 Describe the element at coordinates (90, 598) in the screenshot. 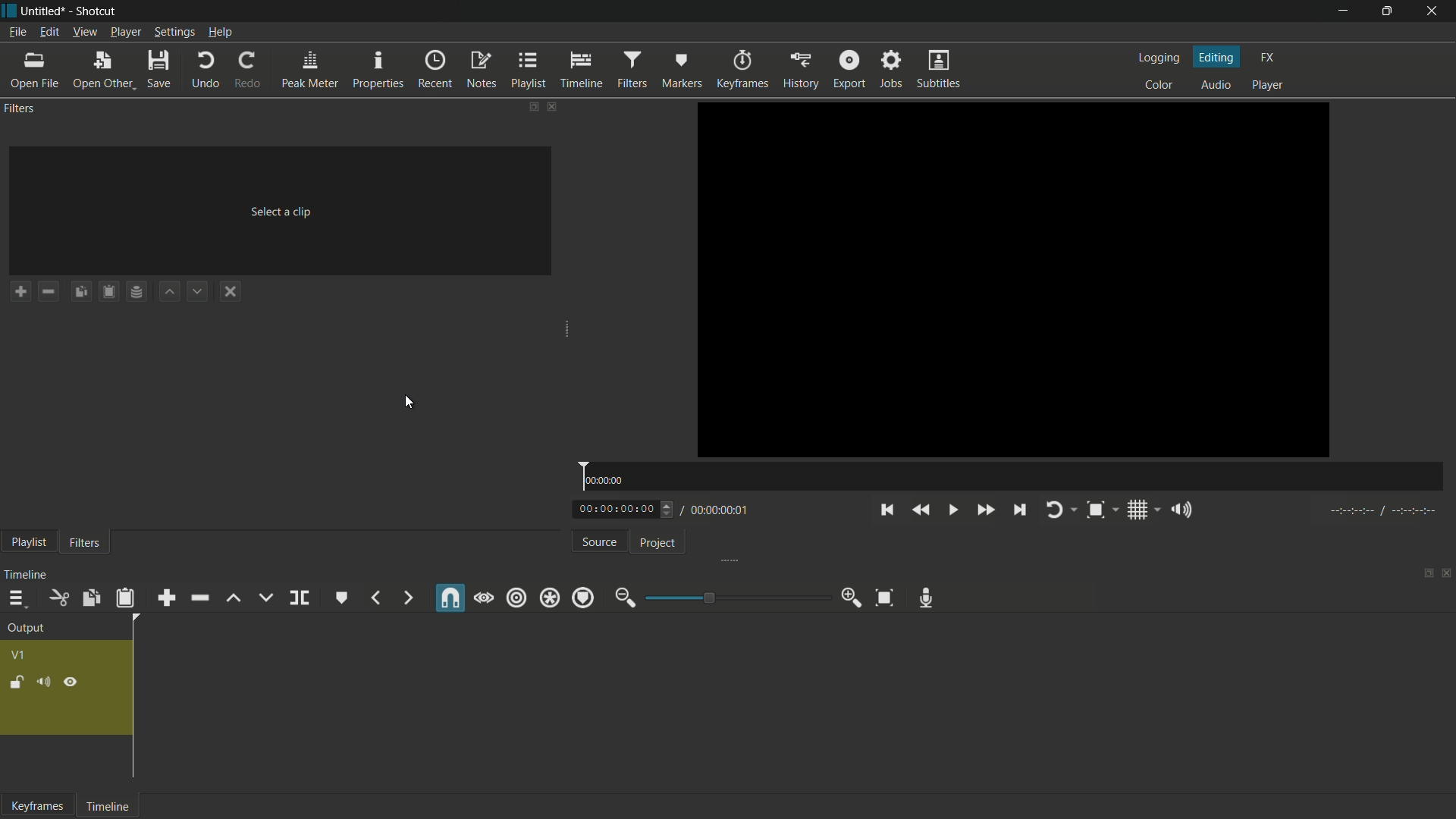

I see `copy` at that location.